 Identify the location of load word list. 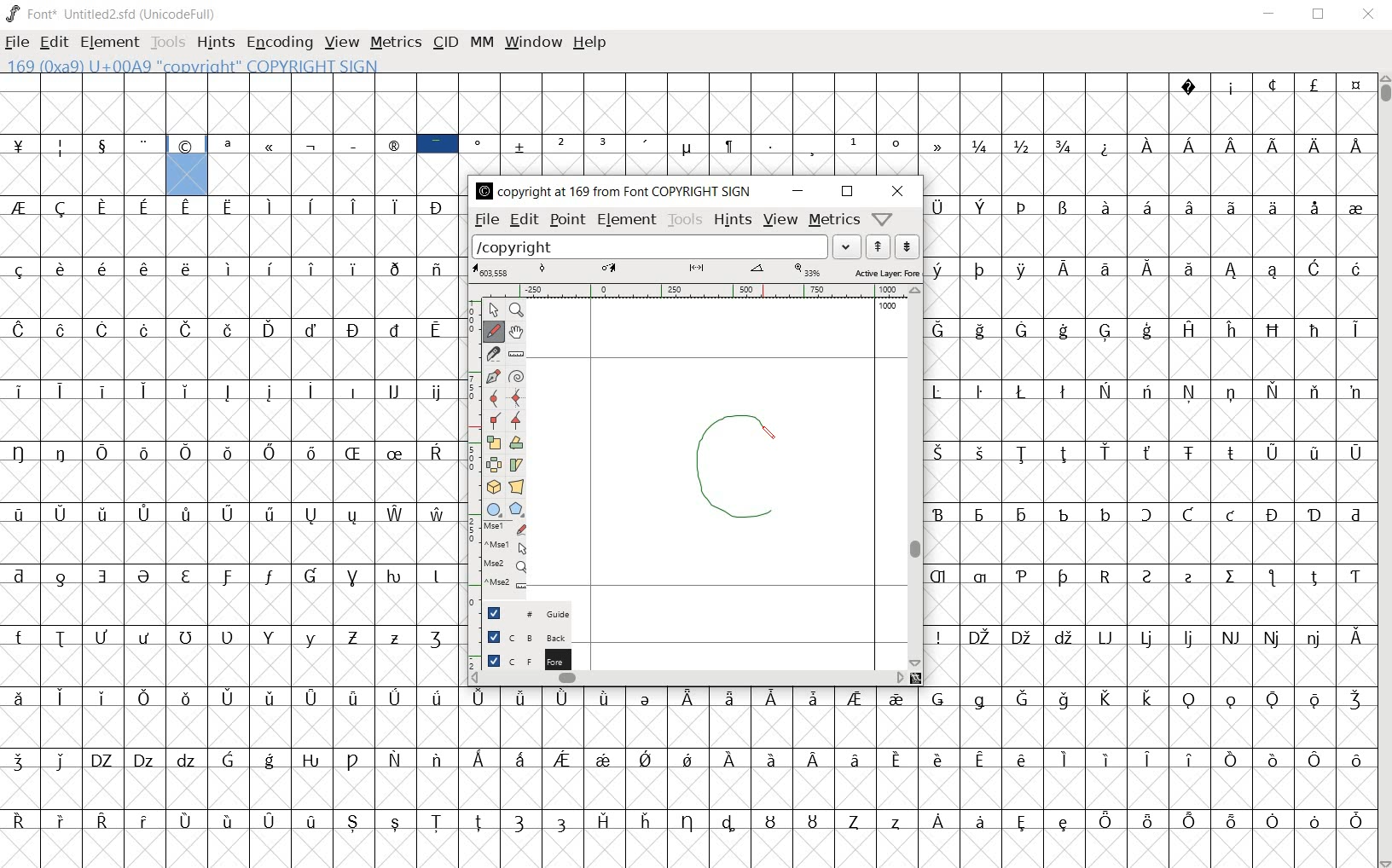
(665, 246).